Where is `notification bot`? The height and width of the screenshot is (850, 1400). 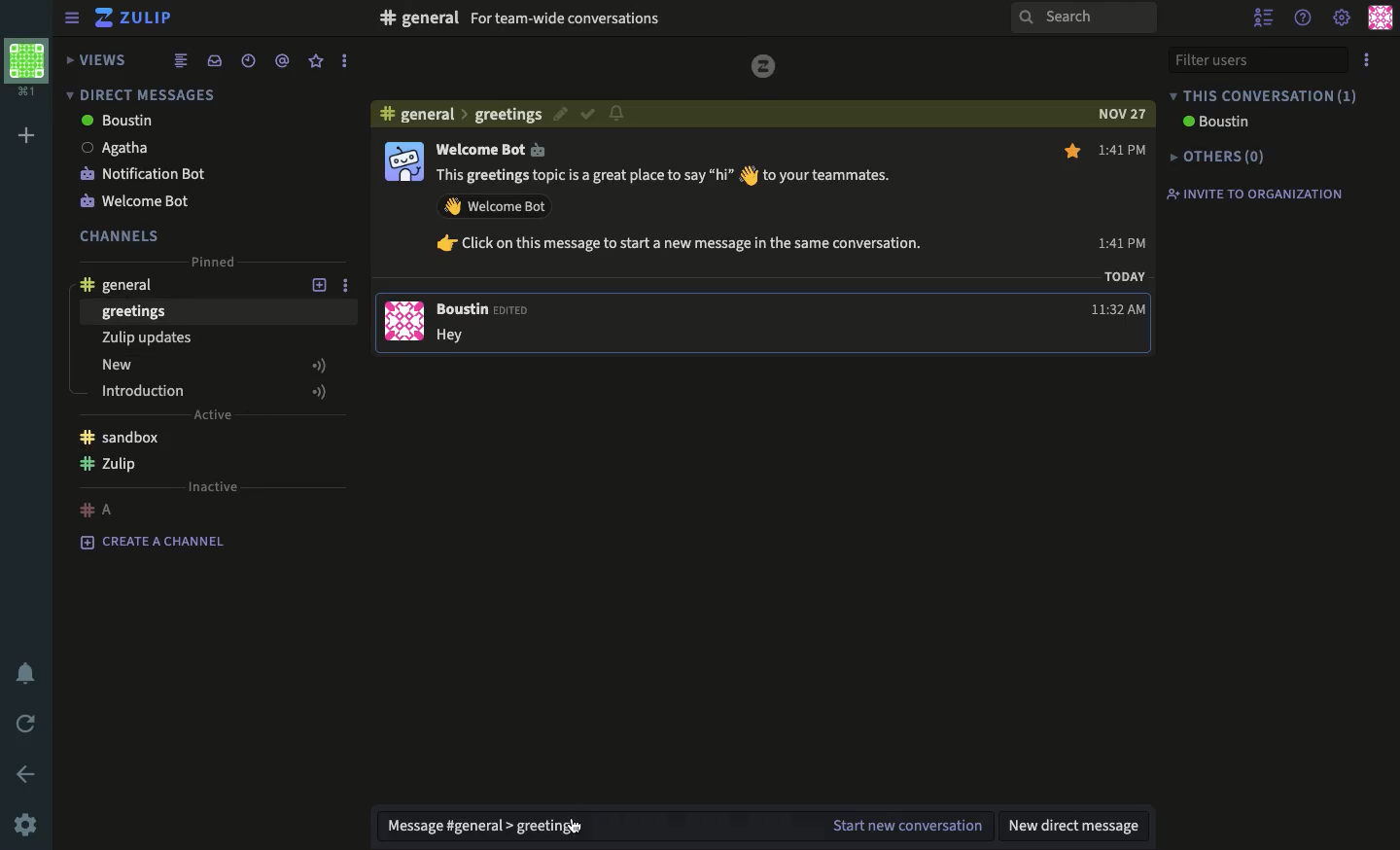 notification bot is located at coordinates (144, 175).